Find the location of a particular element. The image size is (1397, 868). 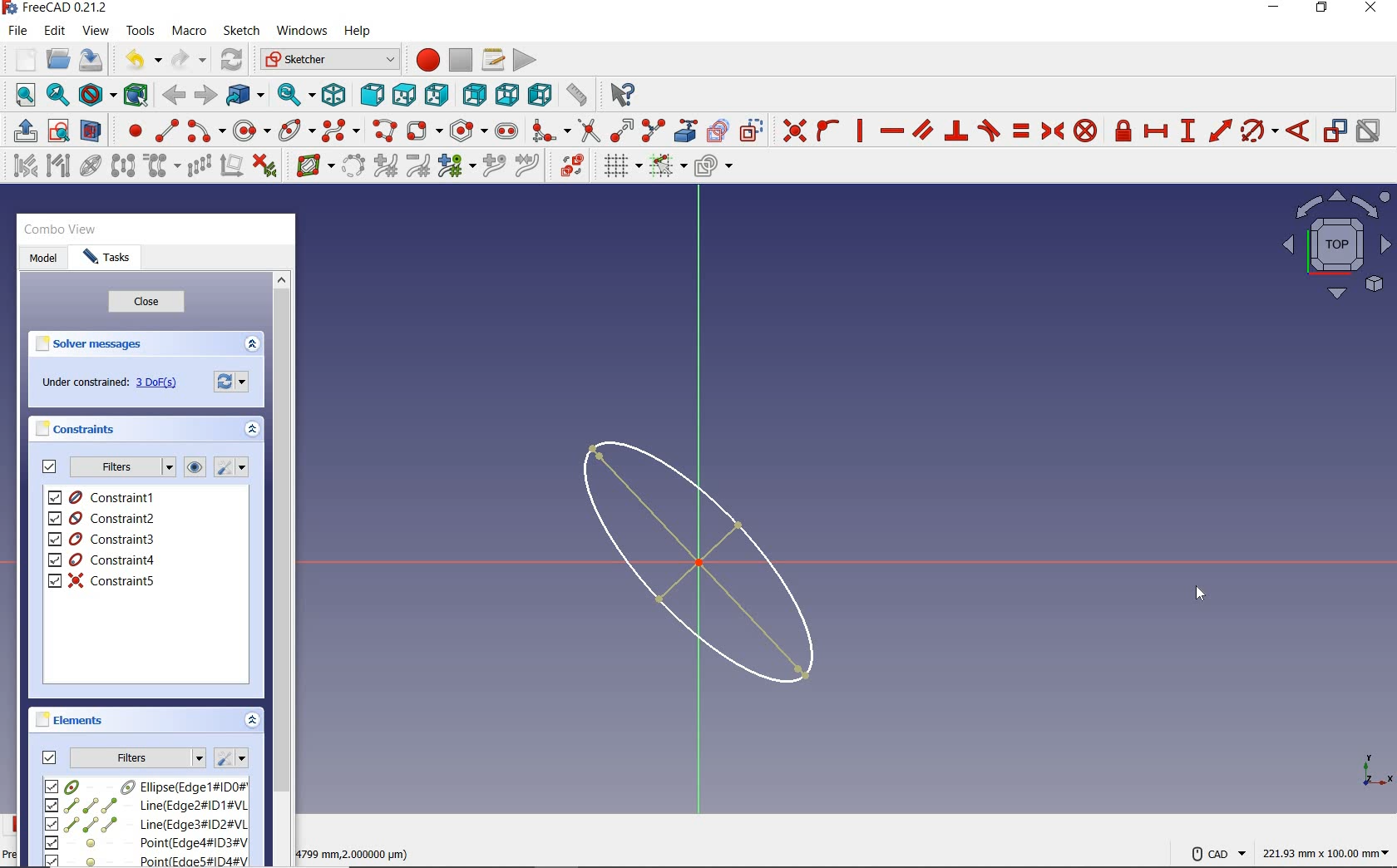

create regular polygon is located at coordinates (469, 131).